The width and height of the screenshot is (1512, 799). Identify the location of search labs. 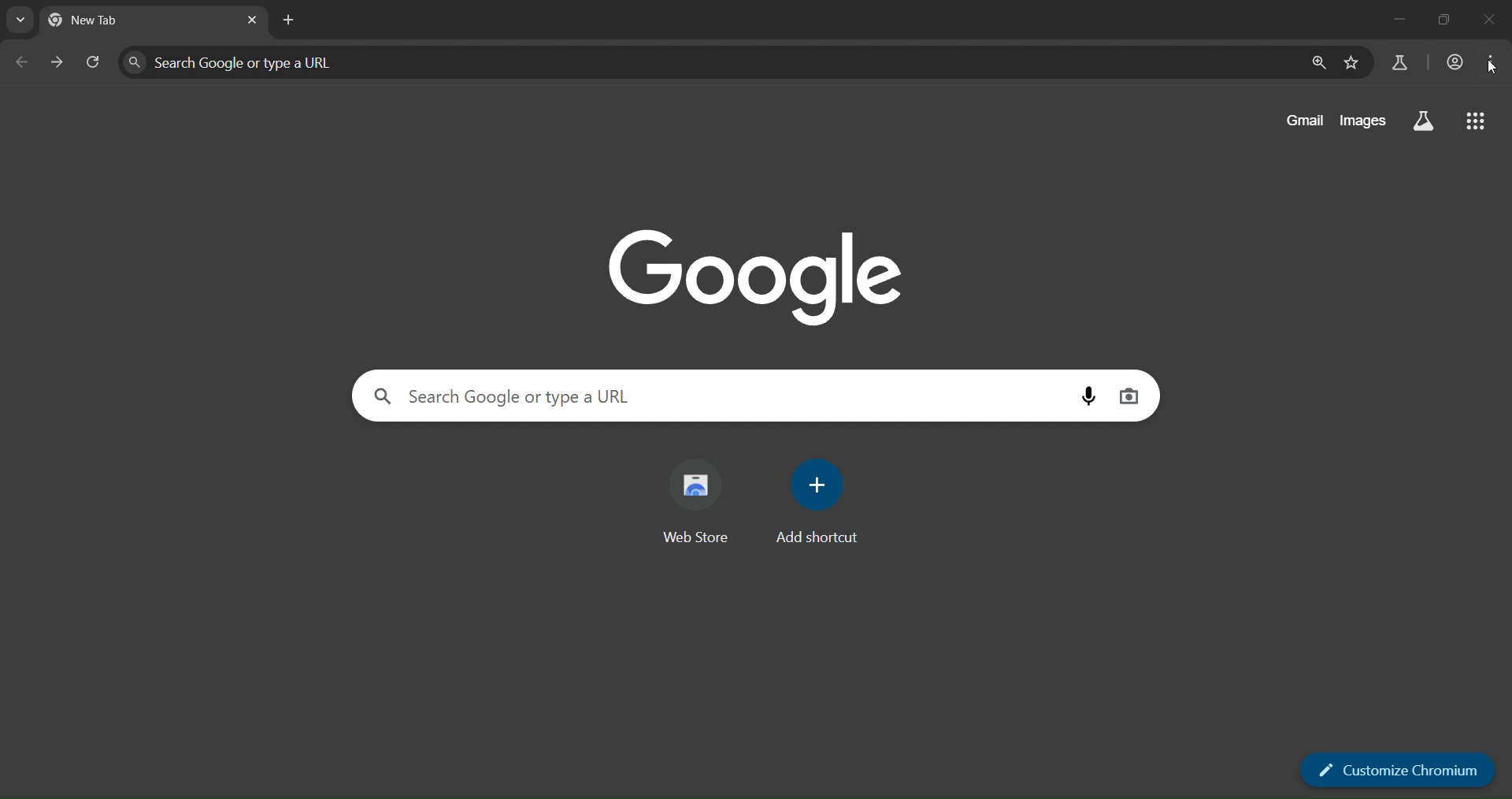
(1399, 63).